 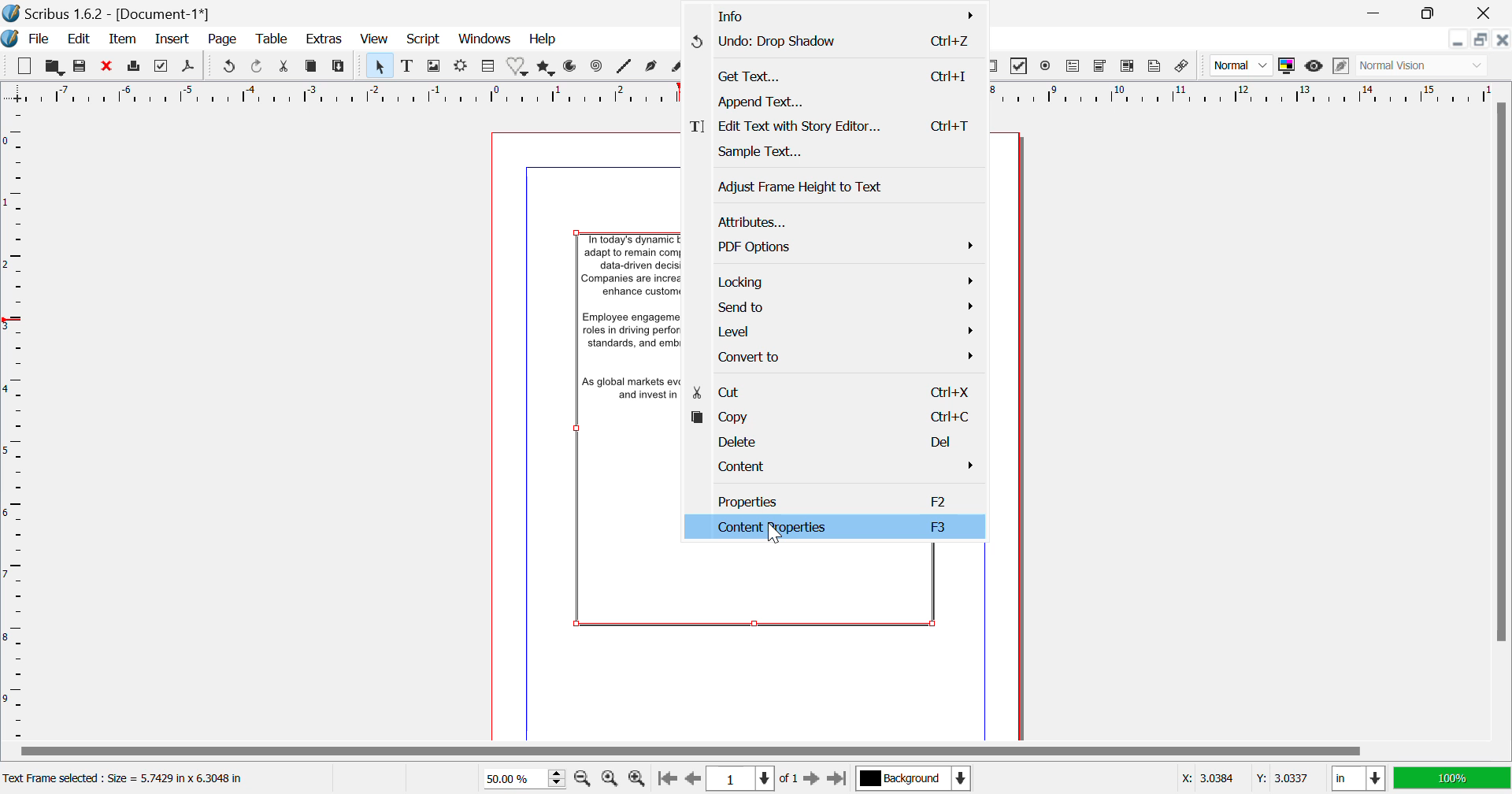 What do you see at coordinates (828, 14) in the screenshot?
I see `Info` at bounding box center [828, 14].